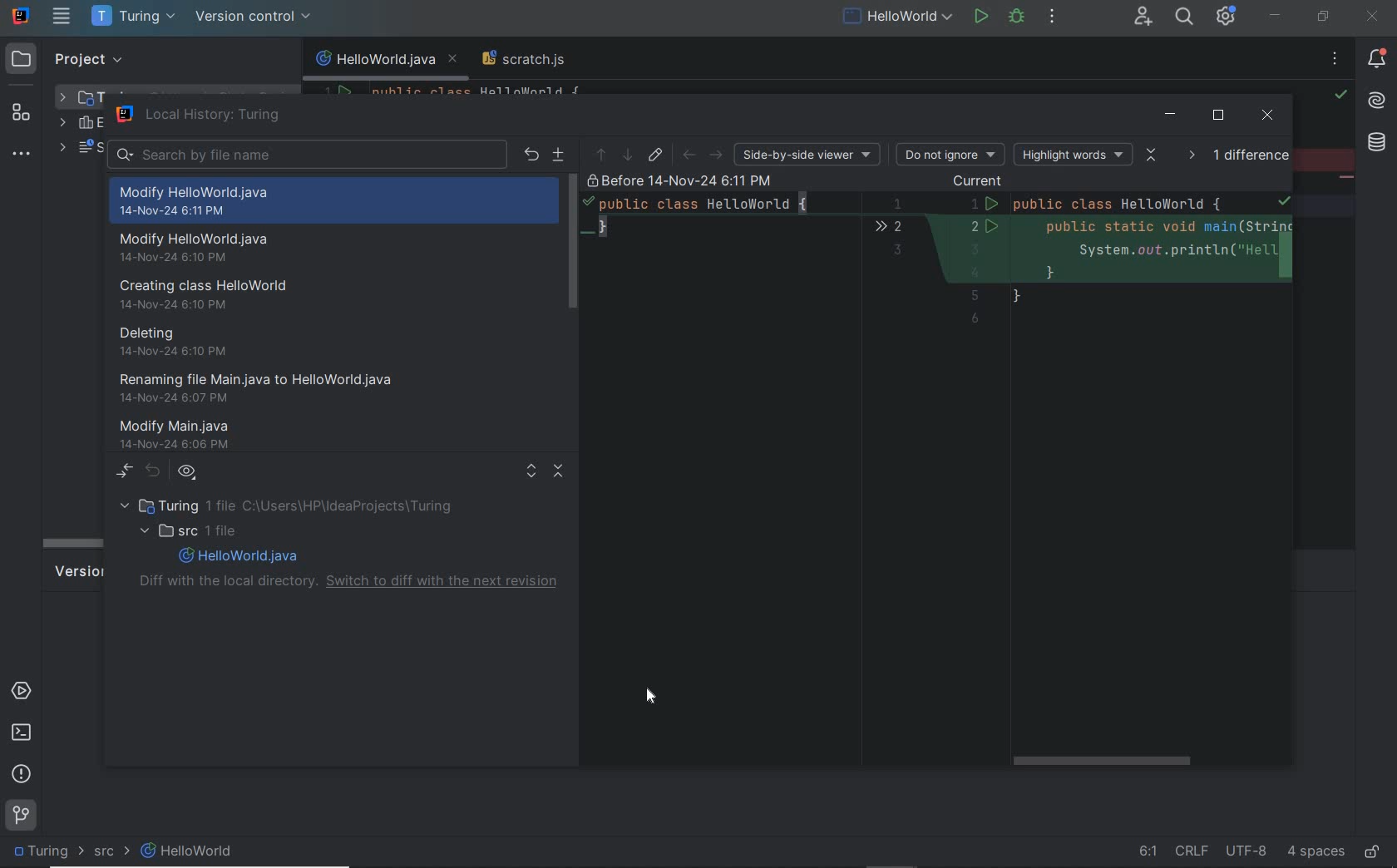 The image size is (1397, 868). What do you see at coordinates (1375, 143) in the screenshot?
I see `database` at bounding box center [1375, 143].